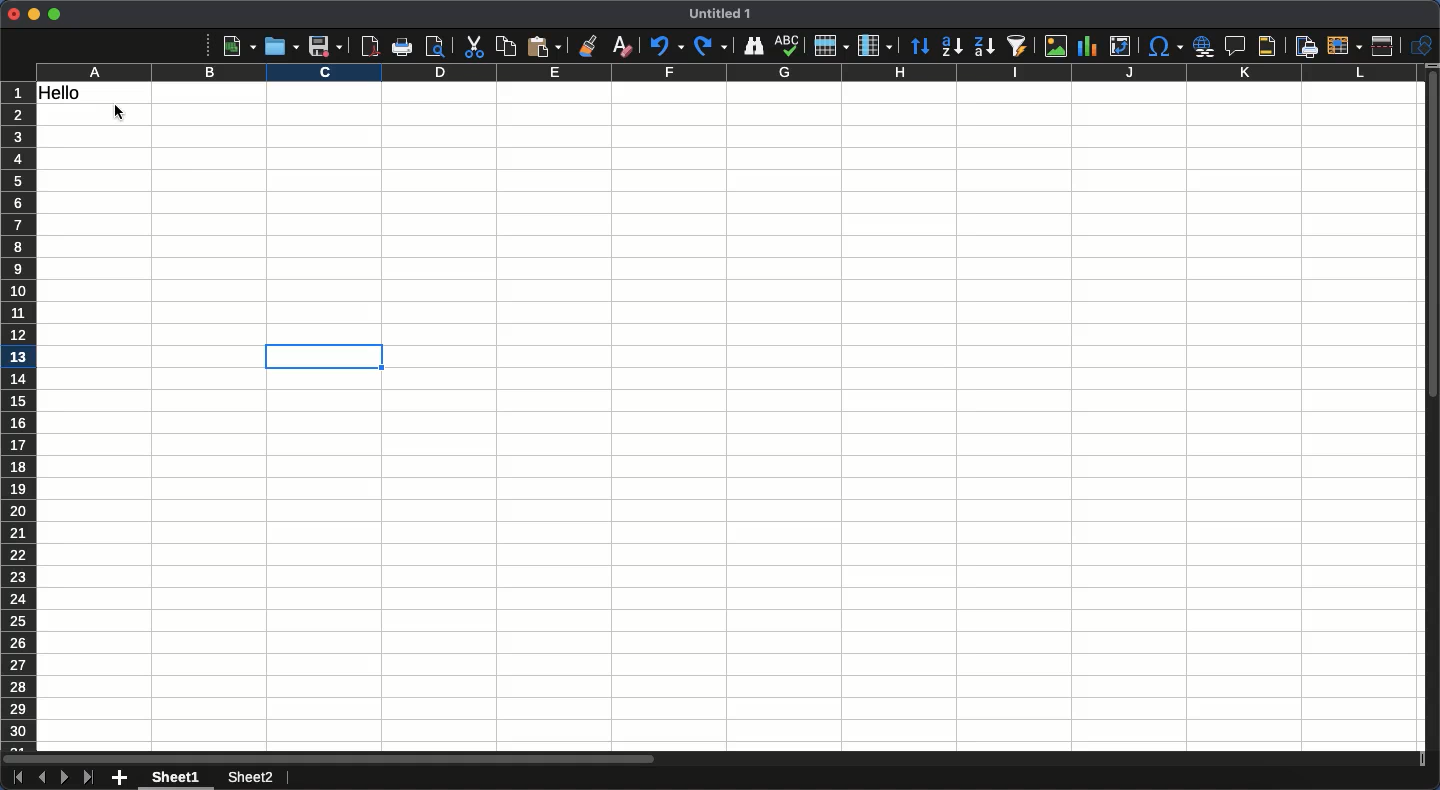  What do you see at coordinates (951, 45) in the screenshot?
I see `Ascending` at bounding box center [951, 45].